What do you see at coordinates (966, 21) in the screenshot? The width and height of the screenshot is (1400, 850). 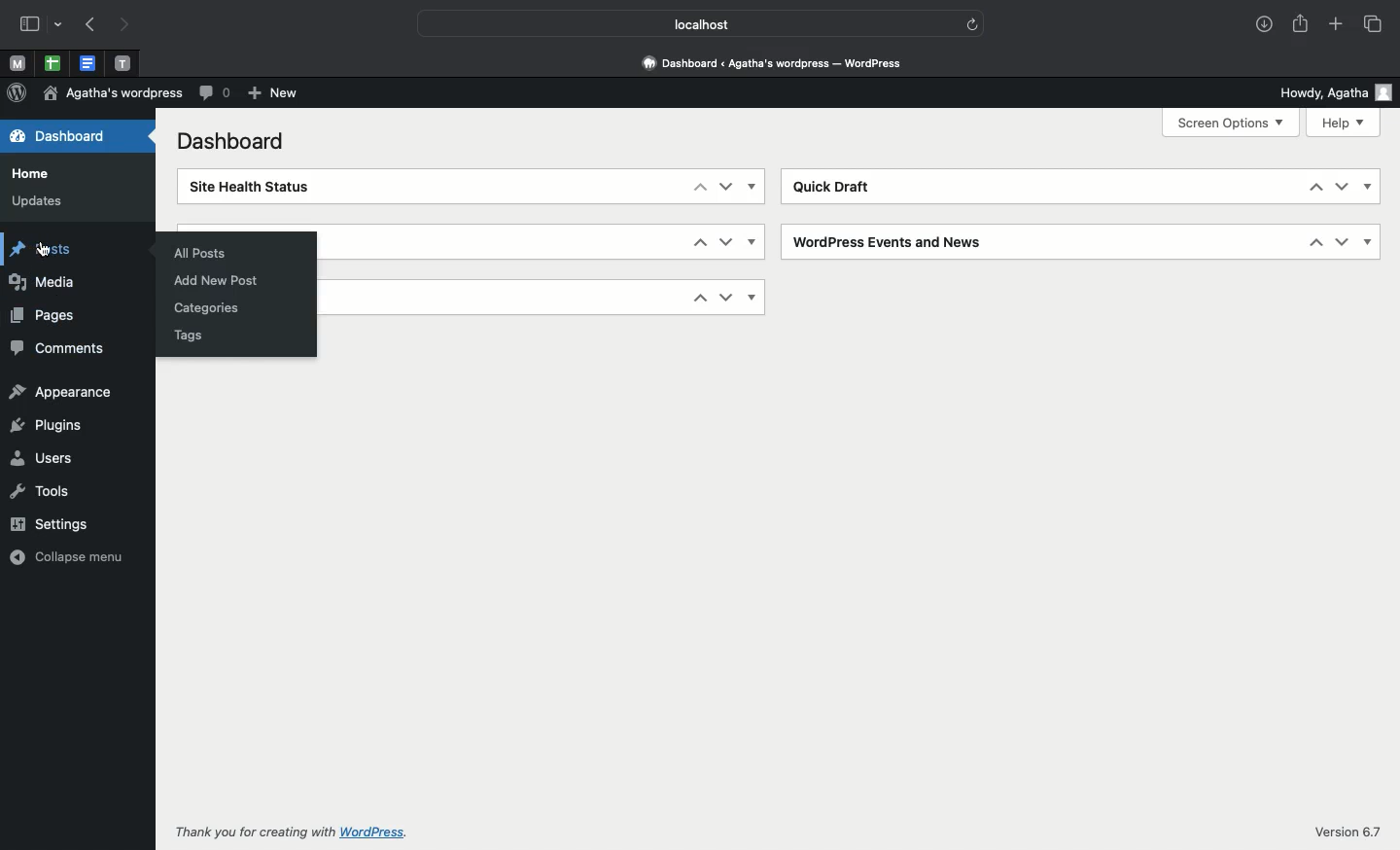 I see `refresh` at bounding box center [966, 21].